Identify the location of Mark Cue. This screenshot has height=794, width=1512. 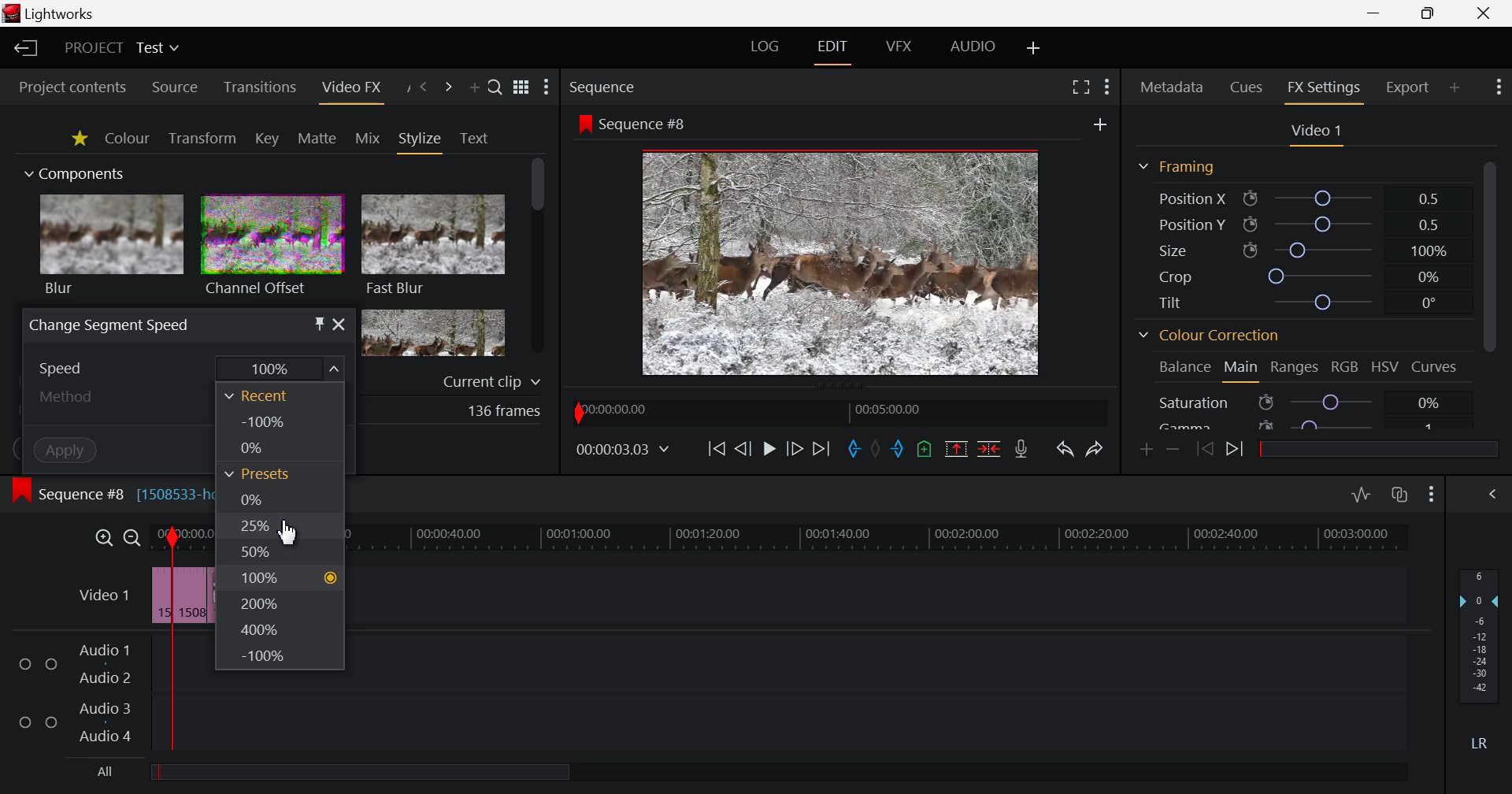
(925, 448).